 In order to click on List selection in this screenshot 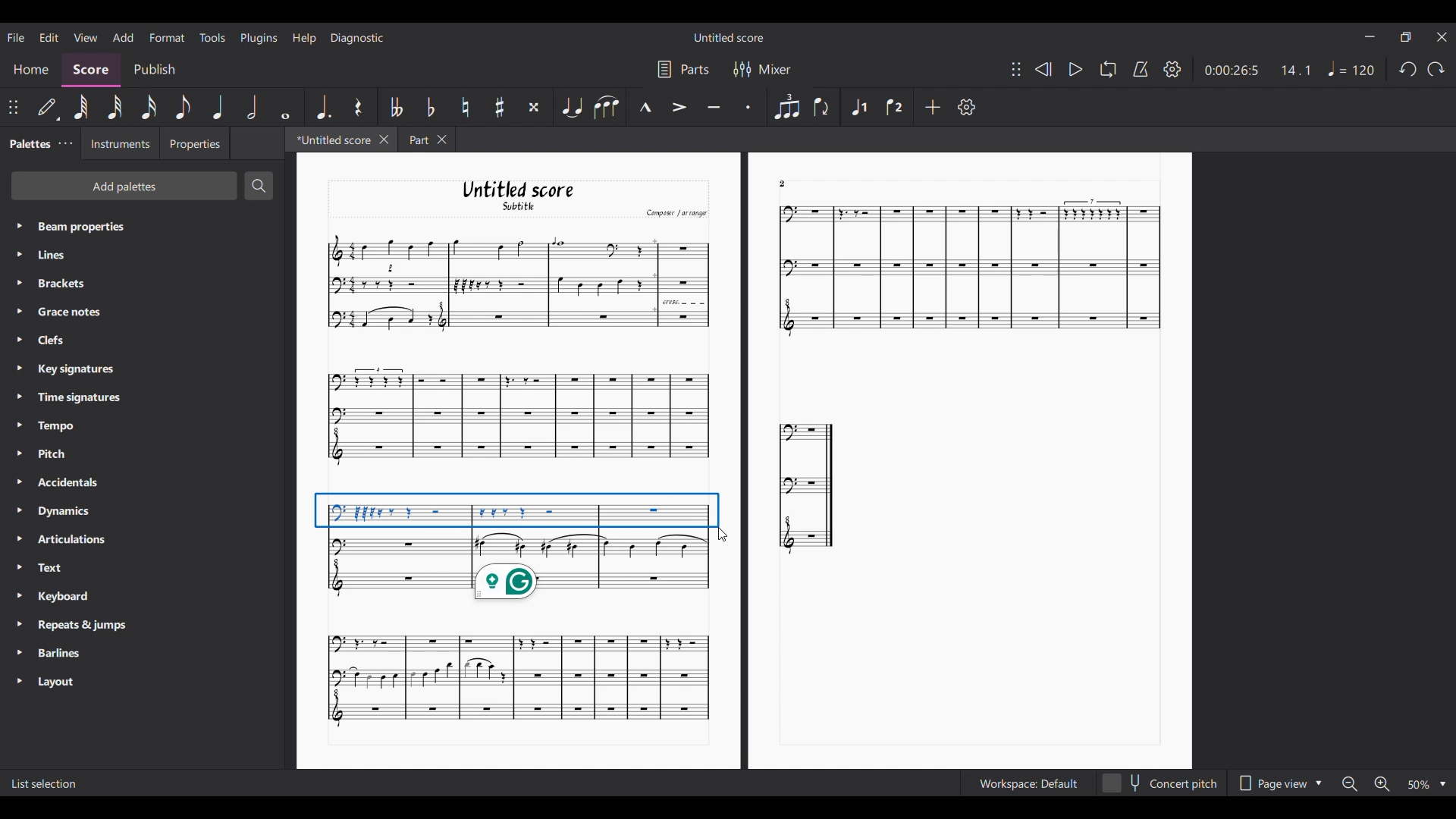, I will do `click(45, 784)`.